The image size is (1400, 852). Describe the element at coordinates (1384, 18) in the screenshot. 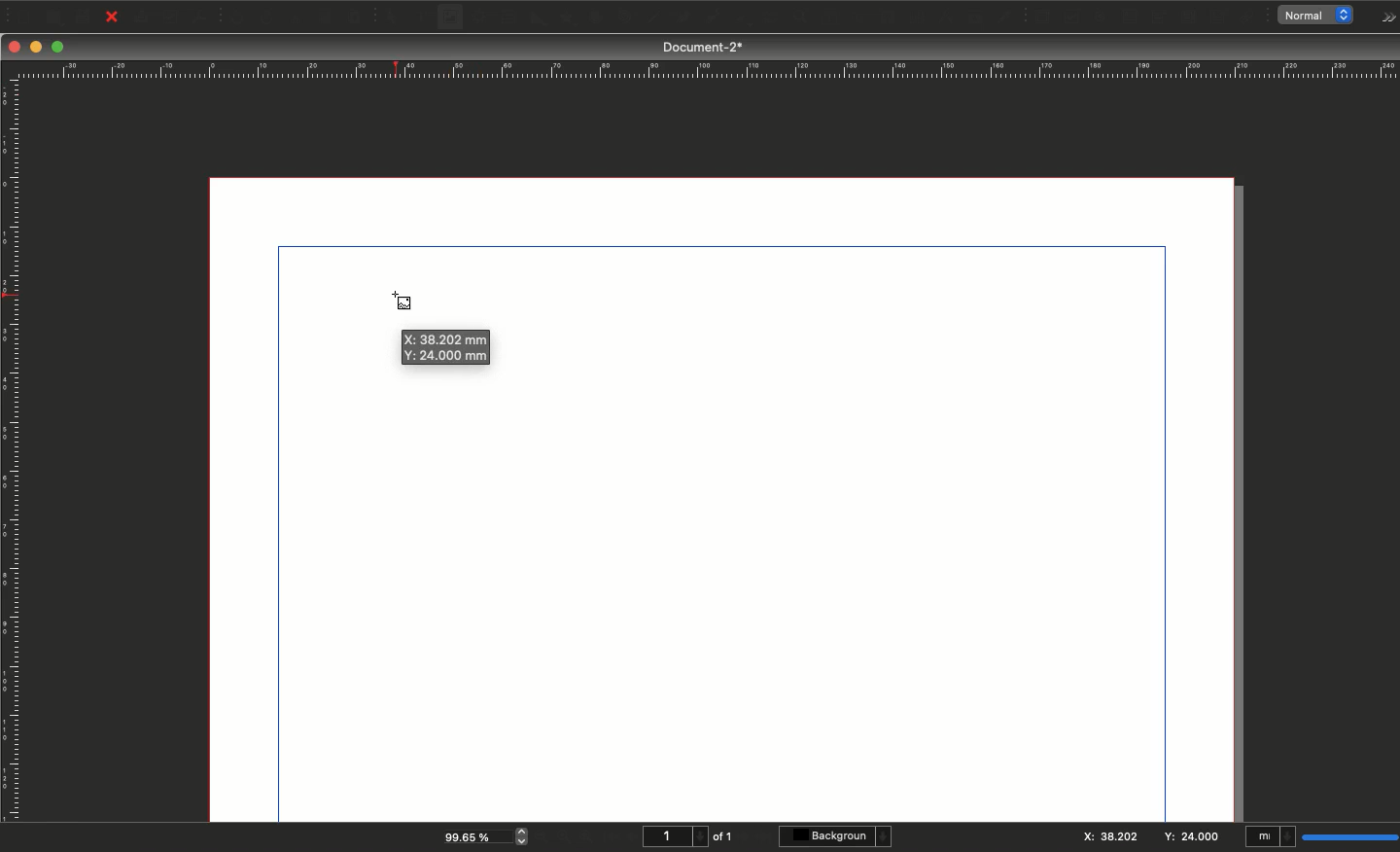

I see `Options` at that location.